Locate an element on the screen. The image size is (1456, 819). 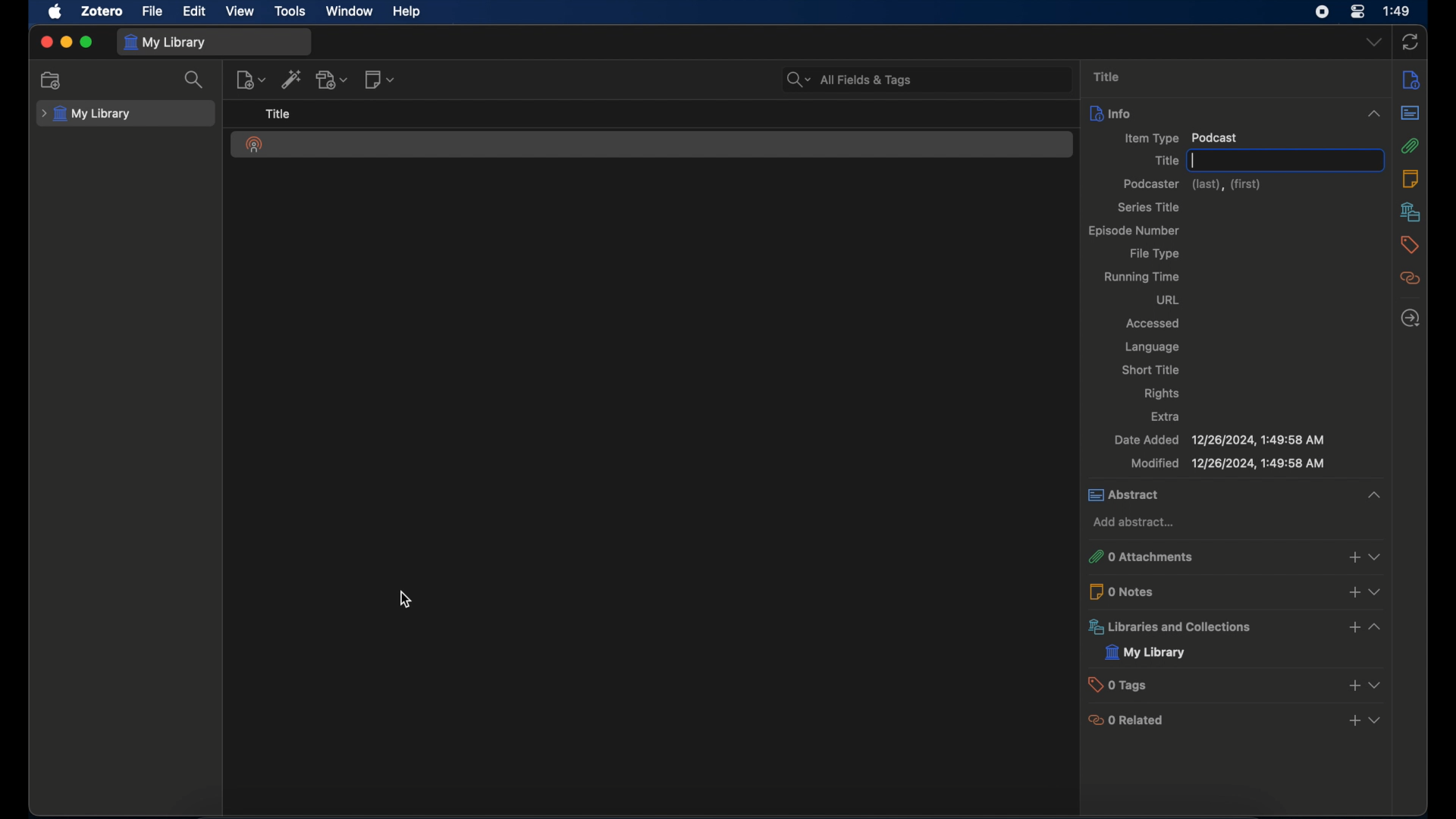
modified 12/26/2024, 1:49:58 AM is located at coordinates (1228, 464).